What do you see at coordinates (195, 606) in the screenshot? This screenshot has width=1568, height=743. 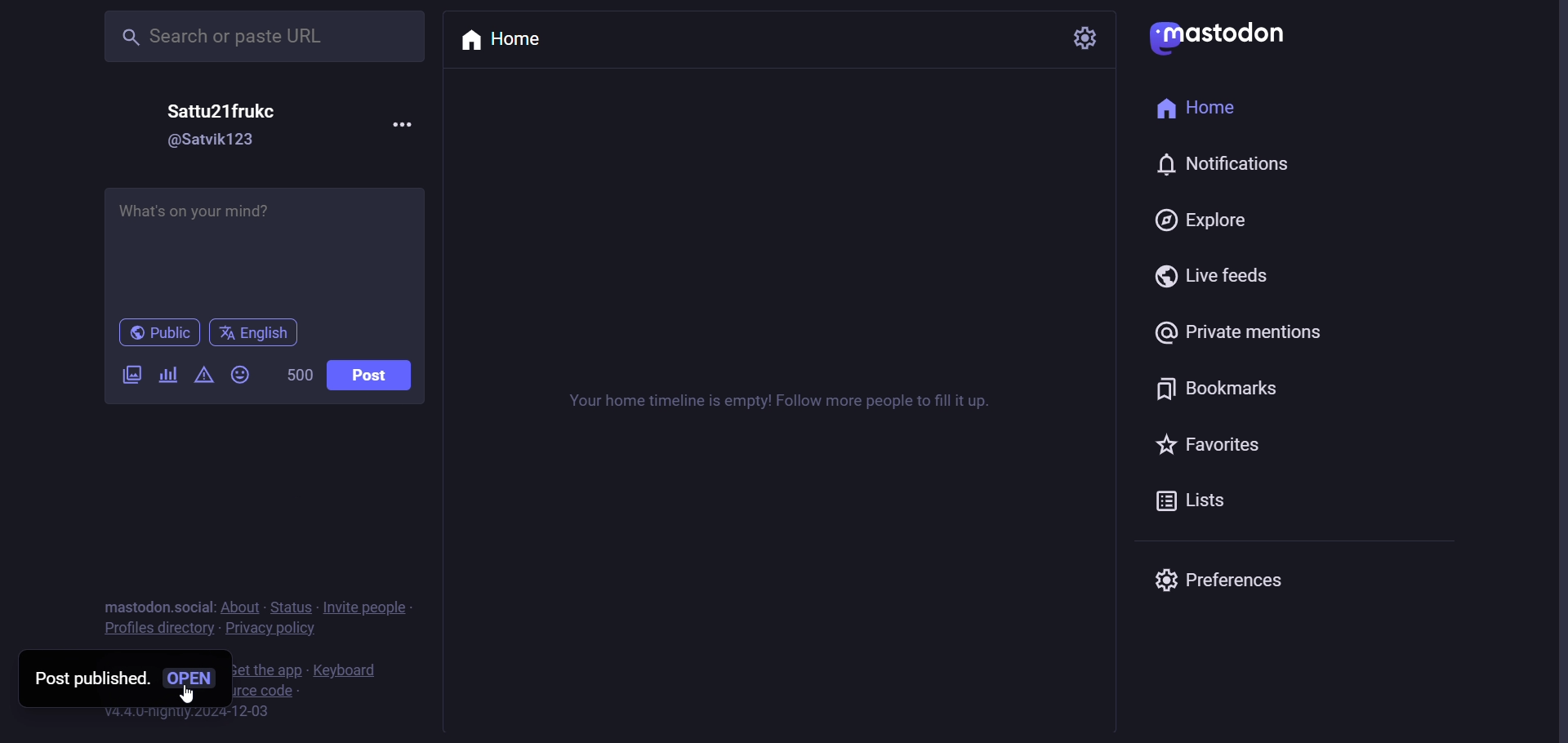 I see `social` at bounding box center [195, 606].